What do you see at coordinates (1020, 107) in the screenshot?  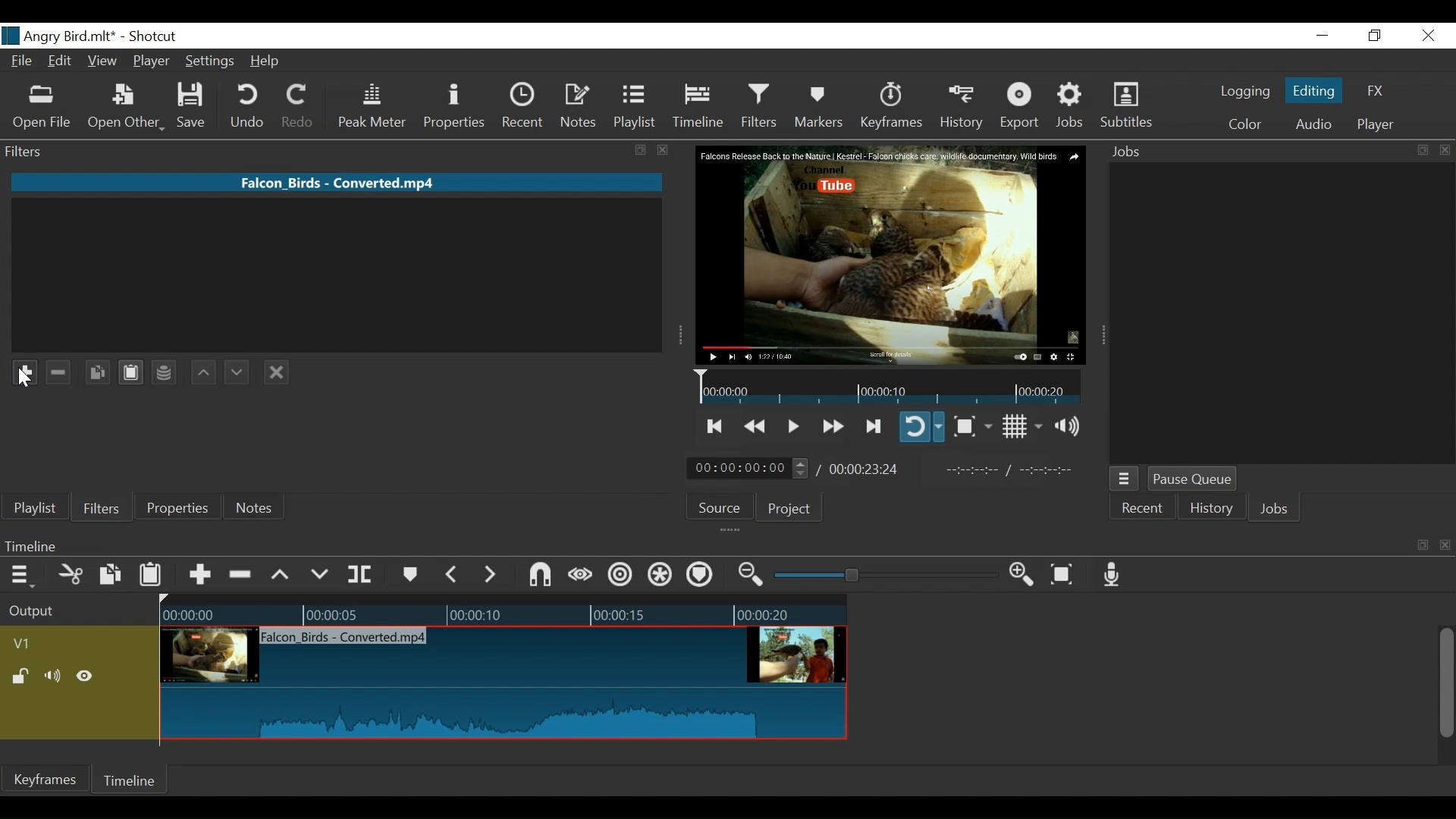 I see `Export` at bounding box center [1020, 107].